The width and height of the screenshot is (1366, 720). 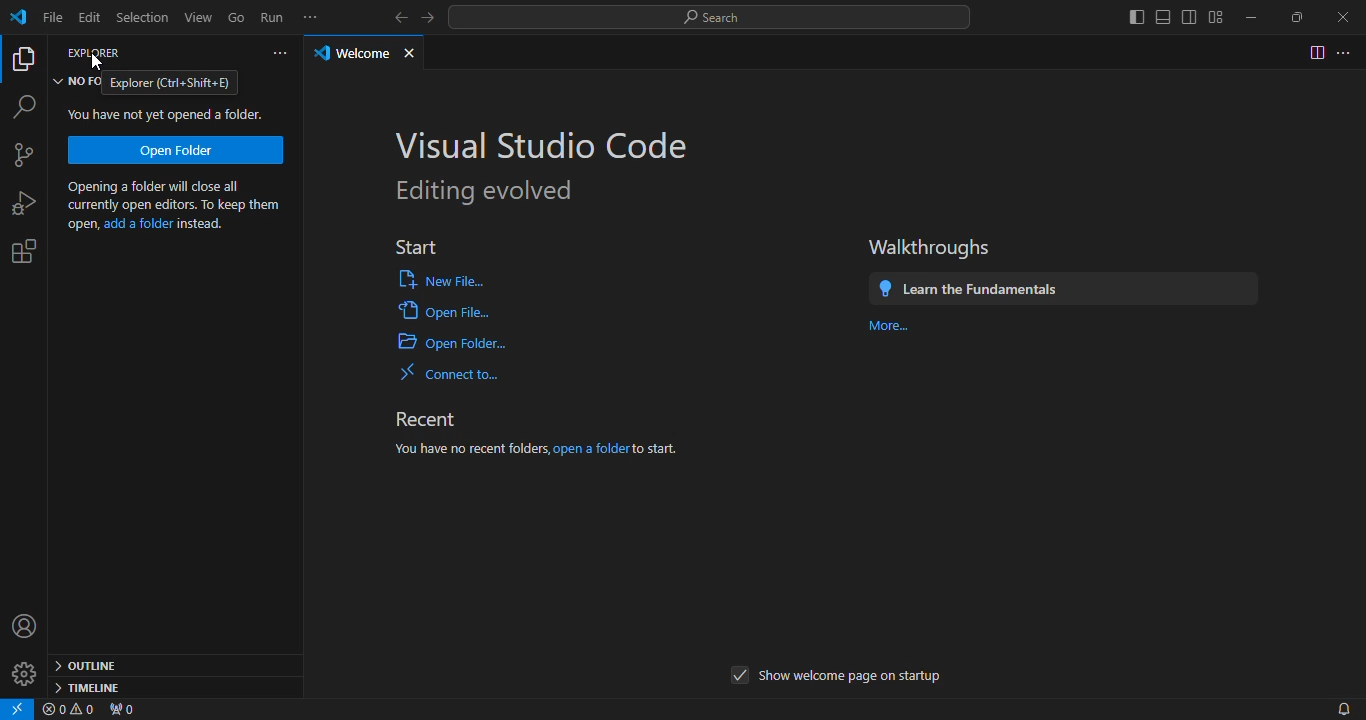 What do you see at coordinates (96, 56) in the screenshot?
I see `Explorer` at bounding box center [96, 56].